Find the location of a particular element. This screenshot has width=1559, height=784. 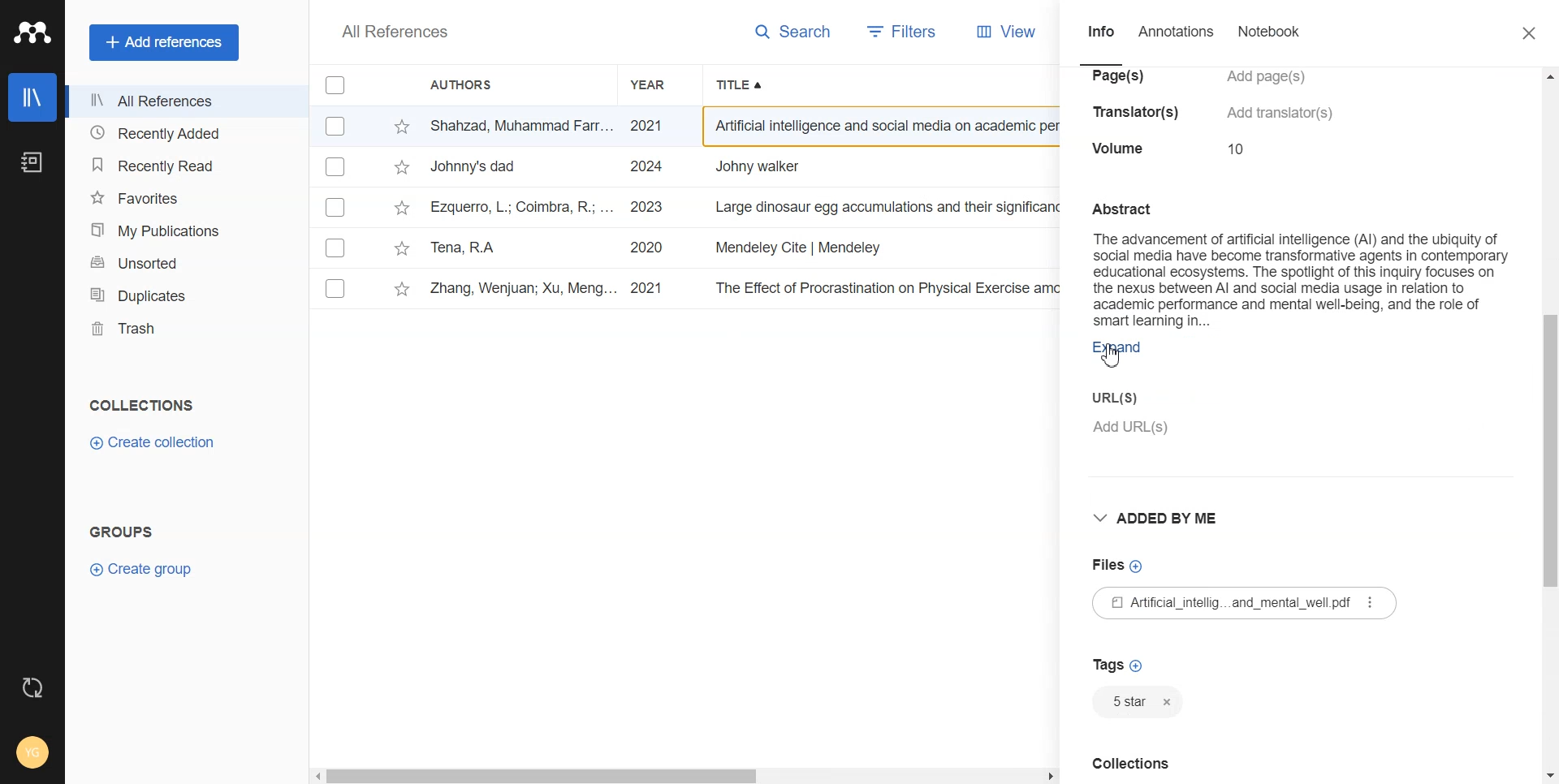

Unsorted is located at coordinates (175, 263).